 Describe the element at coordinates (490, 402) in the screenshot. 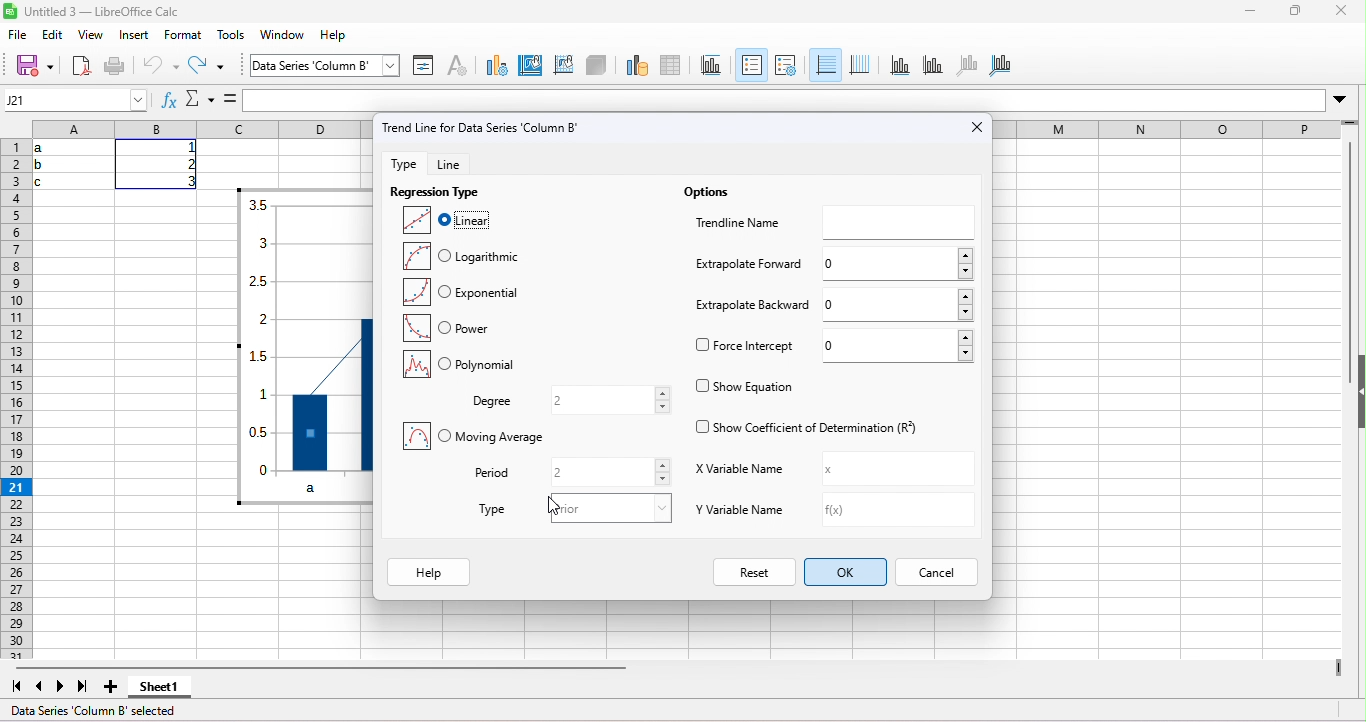

I see `degree` at that location.